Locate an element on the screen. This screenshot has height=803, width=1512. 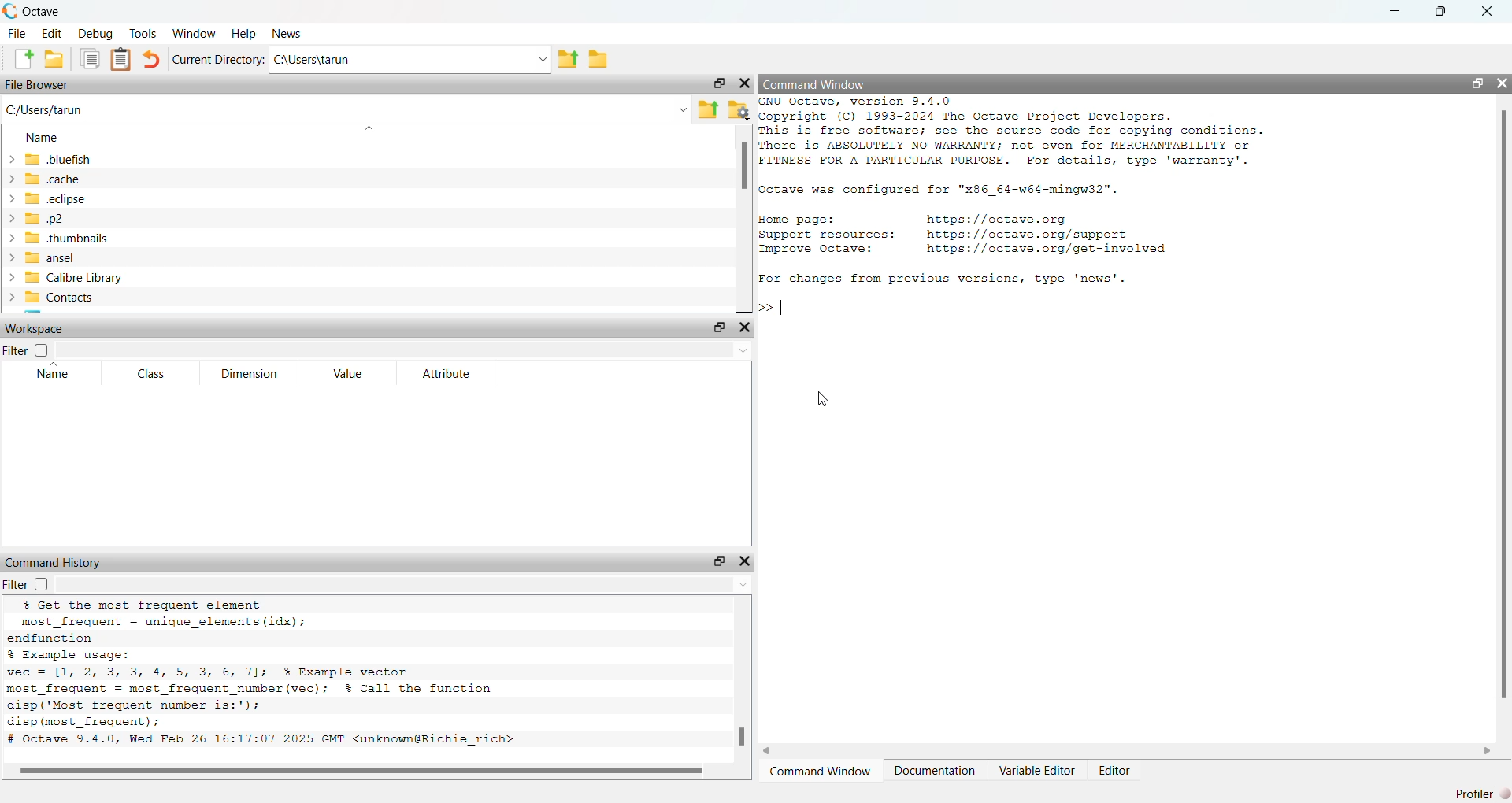
Hide Widget is located at coordinates (744, 327).